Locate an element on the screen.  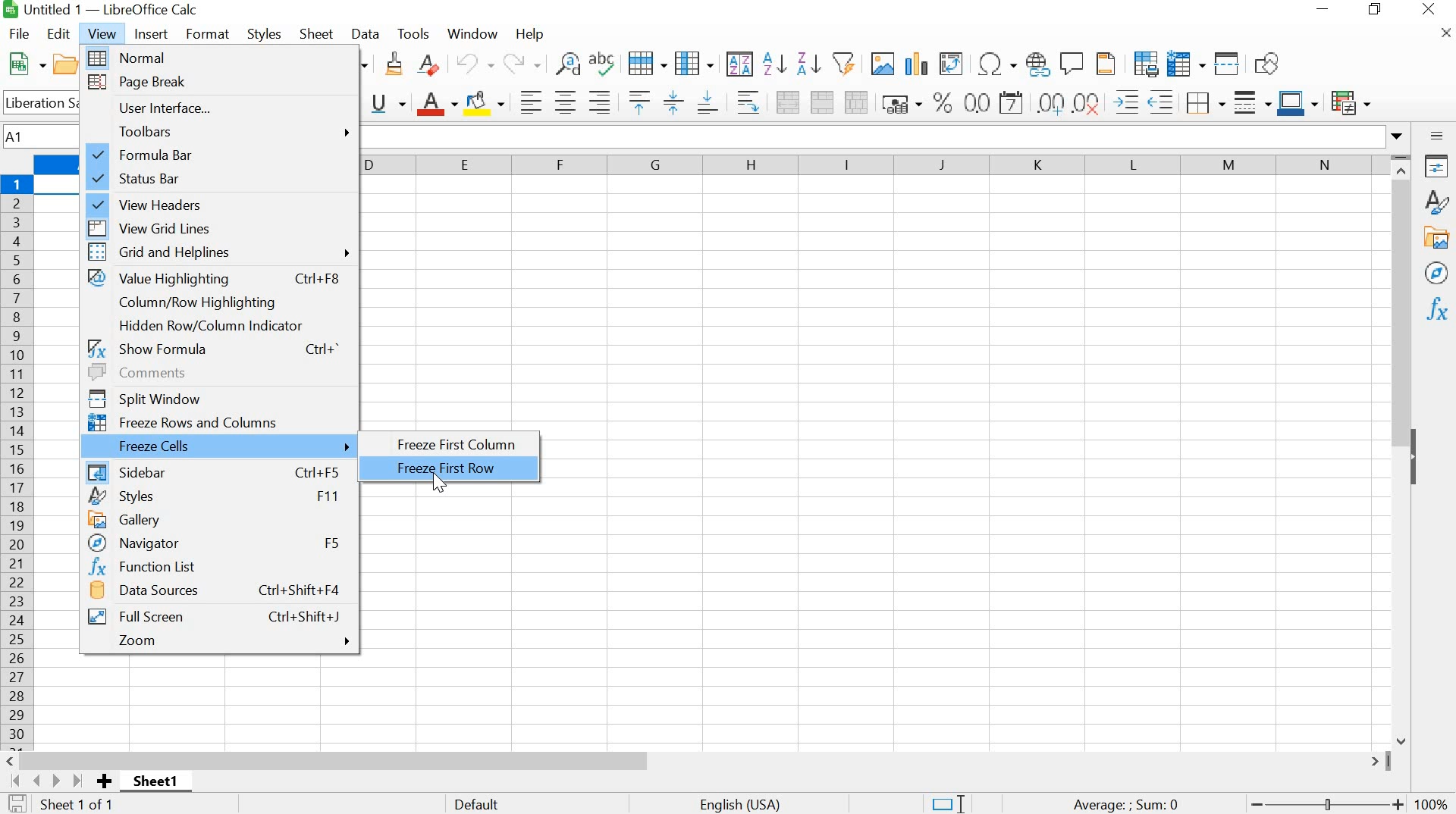
INPUT LINE is located at coordinates (883, 136).